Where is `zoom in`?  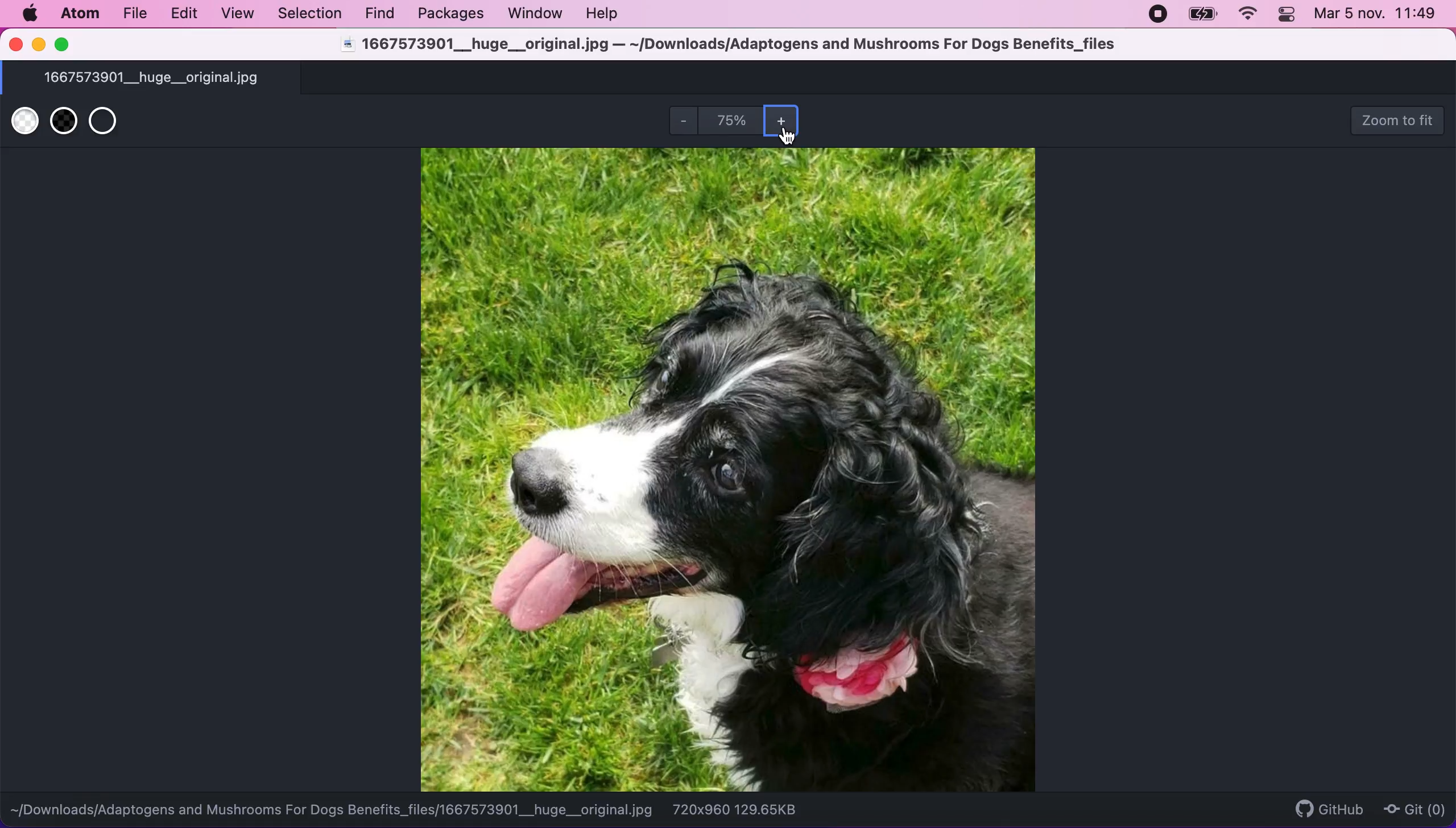 zoom in is located at coordinates (784, 122).